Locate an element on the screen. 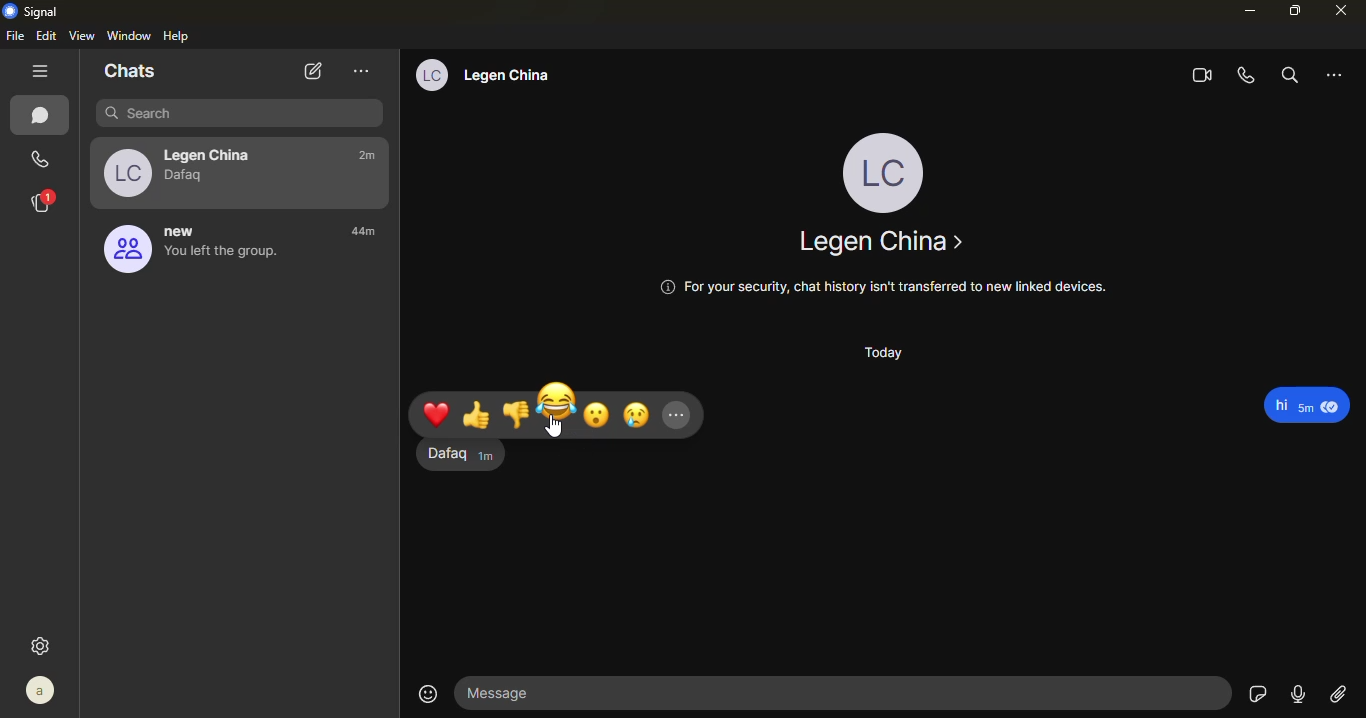  more is located at coordinates (682, 416).